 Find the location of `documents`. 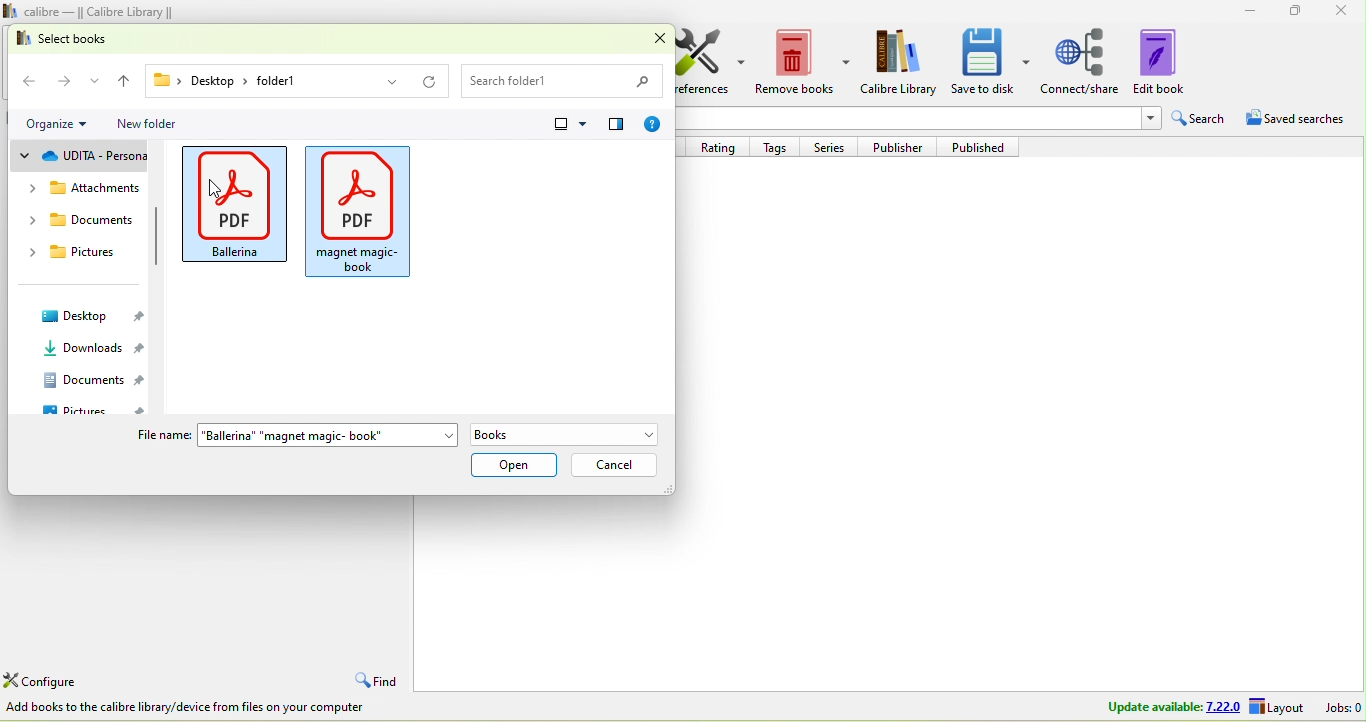

documents is located at coordinates (85, 218).